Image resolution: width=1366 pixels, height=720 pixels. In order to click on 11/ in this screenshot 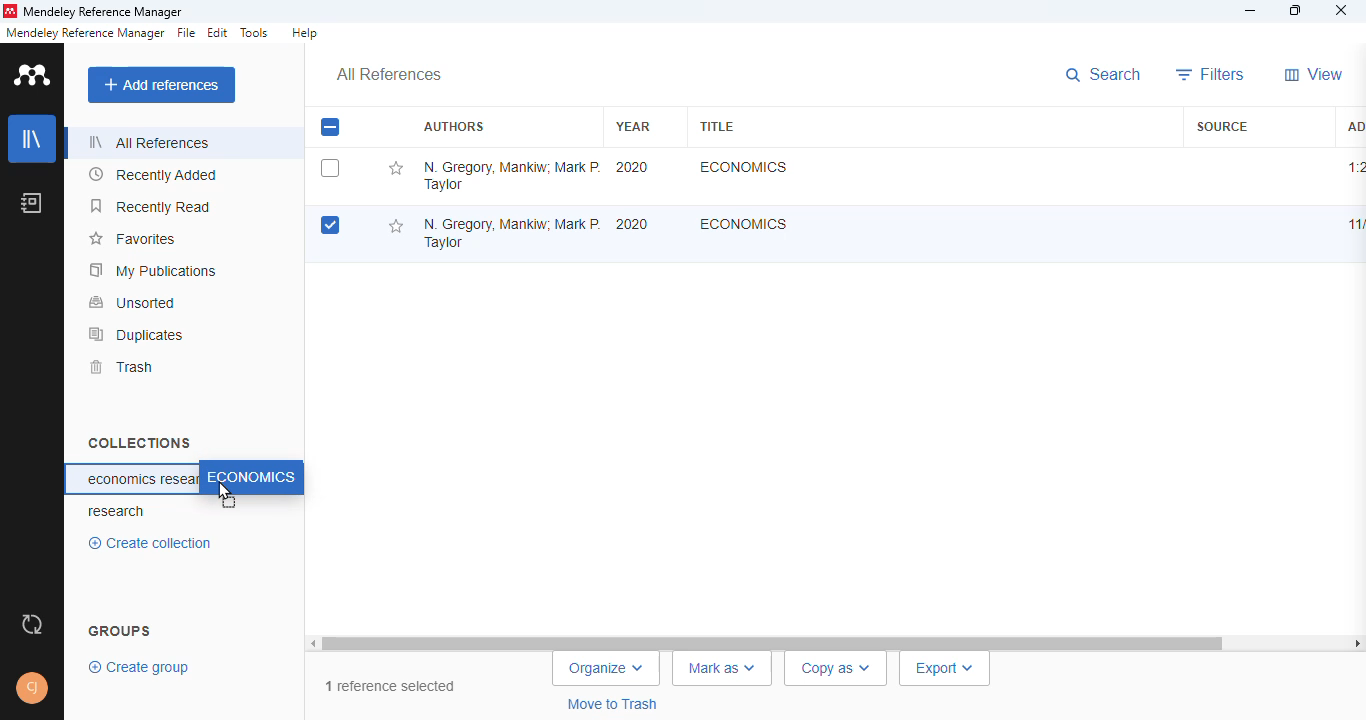, I will do `click(1353, 225)`.